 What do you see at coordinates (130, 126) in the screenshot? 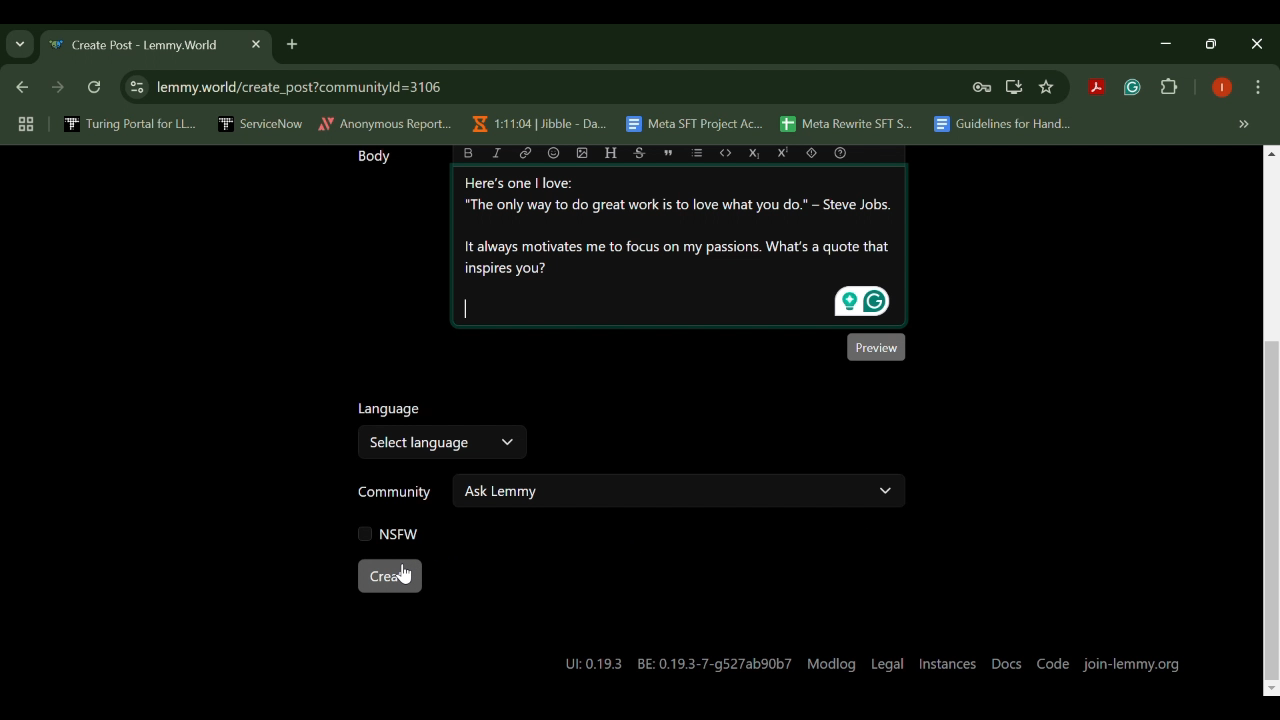
I see `Turing Portal for LL...` at bounding box center [130, 126].